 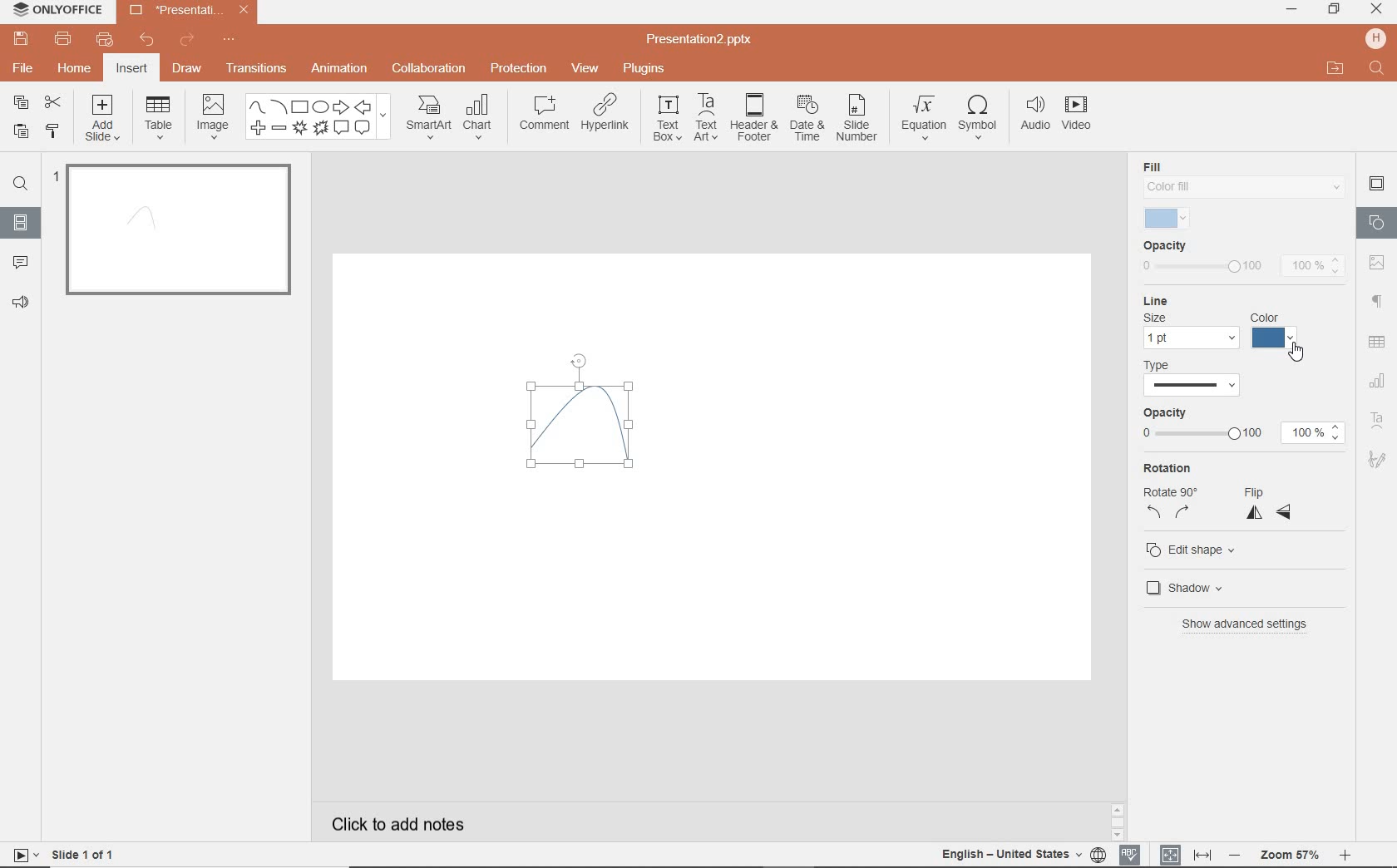 What do you see at coordinates (1249, 505) in the screenshot?
I see `flip vertical` at bounding box center [1249, 505].